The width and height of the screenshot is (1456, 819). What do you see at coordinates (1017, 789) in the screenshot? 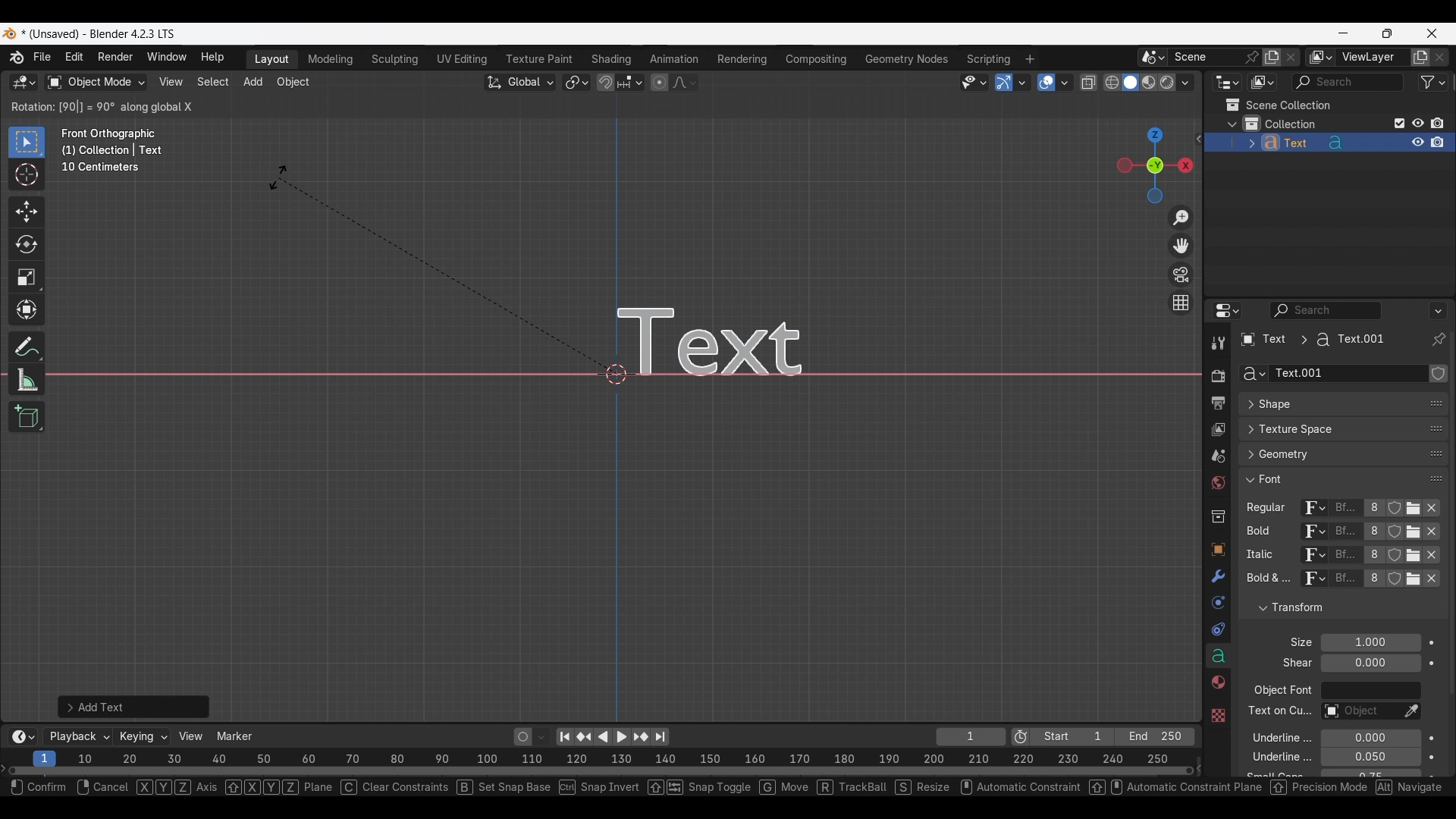
I see `automatic constraint` at bounding box center [1017, 789].